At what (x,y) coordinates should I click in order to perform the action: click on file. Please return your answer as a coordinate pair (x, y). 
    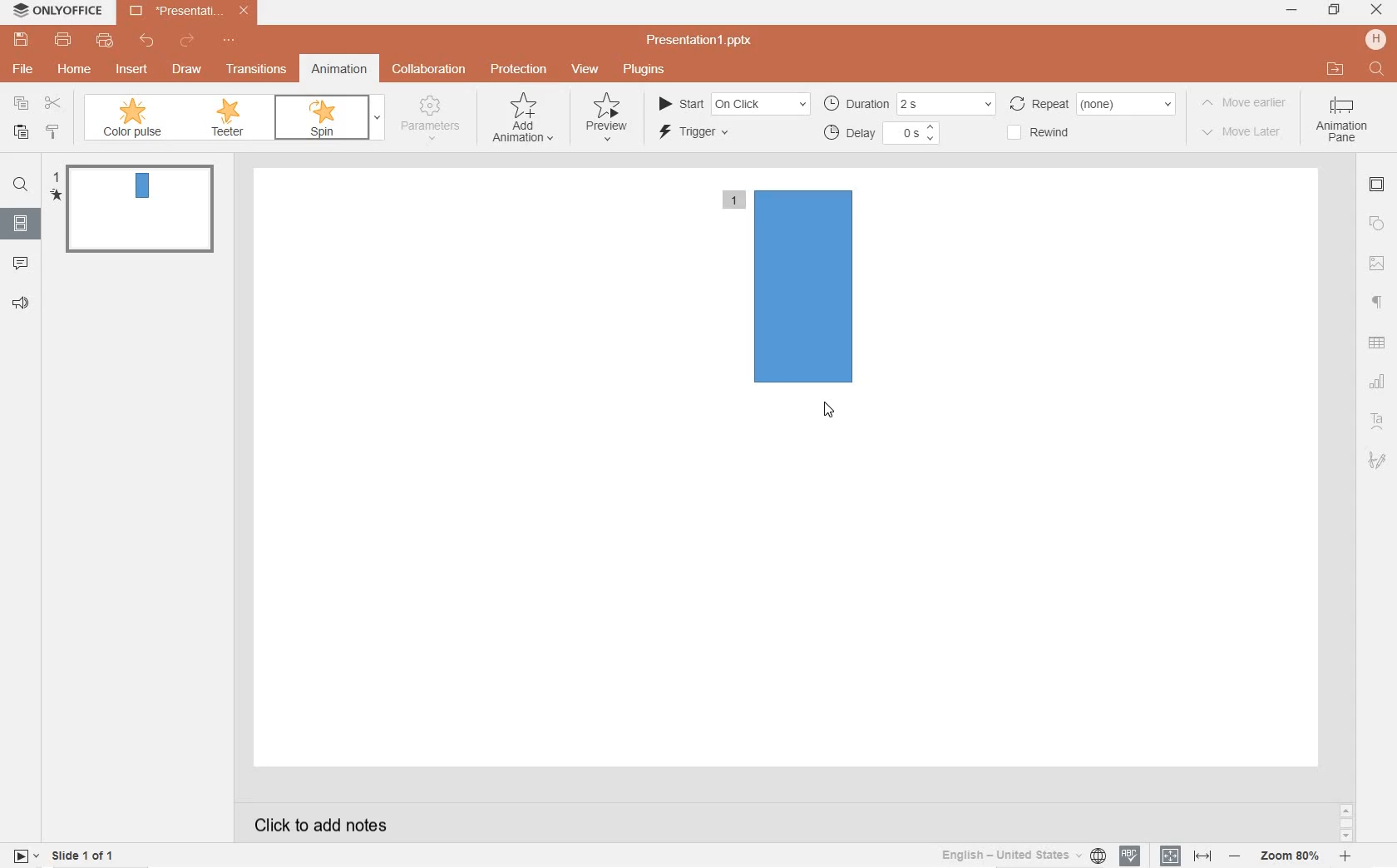
    Looking at the image, I should click on (24, 69).